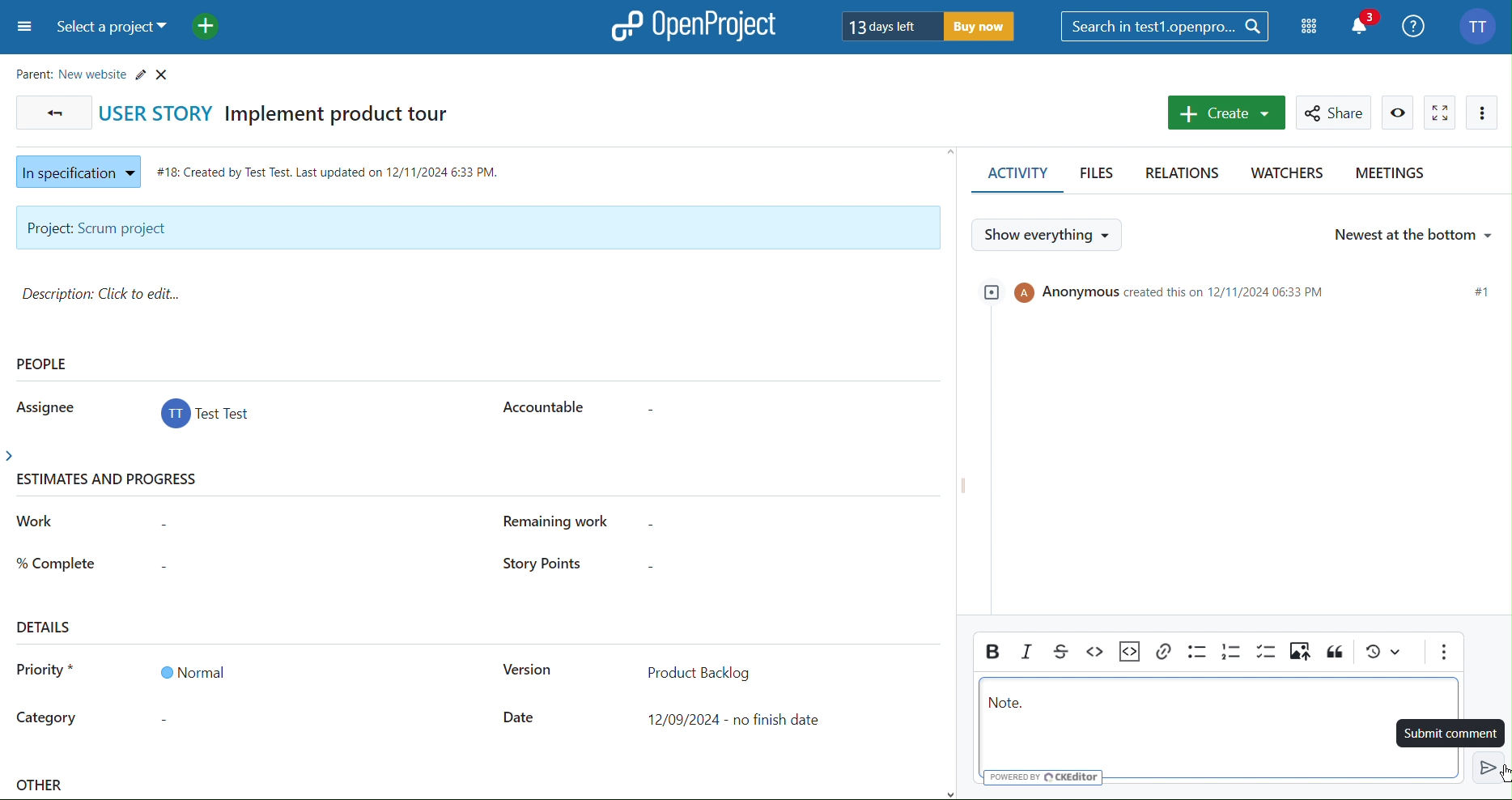 This screenshot has height=800, width=1512. Describe the element at coordinates (1064, 651) in the screenshot. I see `Strikethrough` at that location.